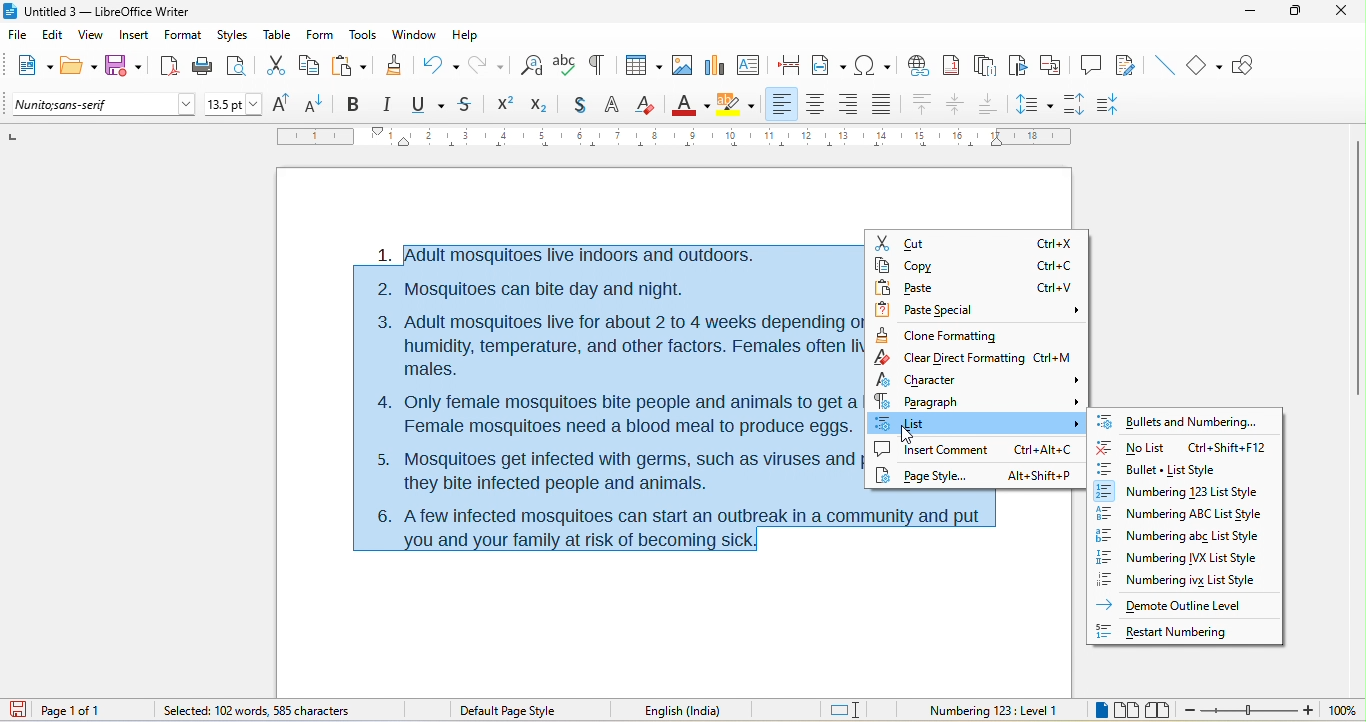 The height and width of the screenshot is (722, 1366). I want to click on table, so click(642, 63).